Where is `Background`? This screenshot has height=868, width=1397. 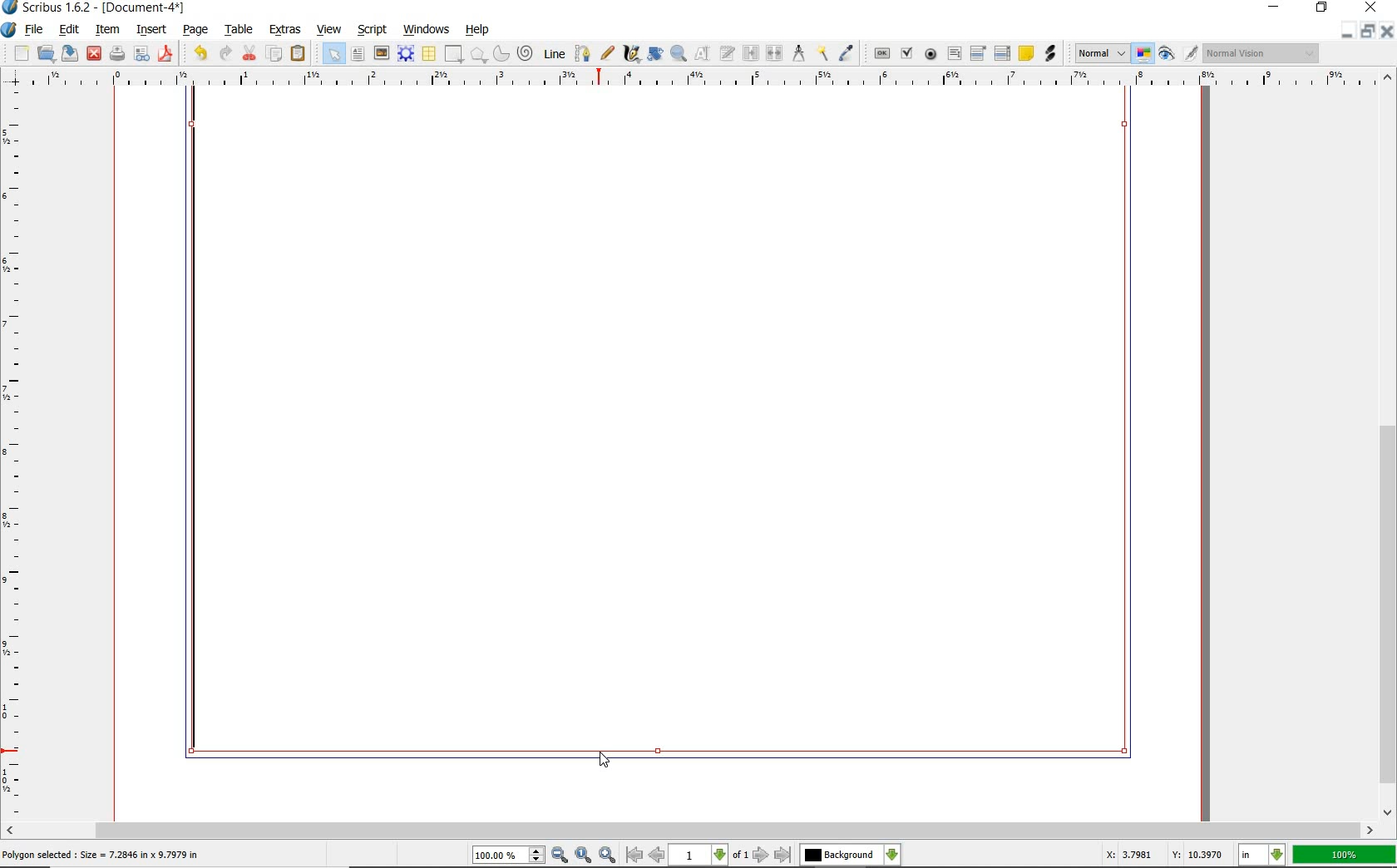 Background is located at coordinates (851, 856).